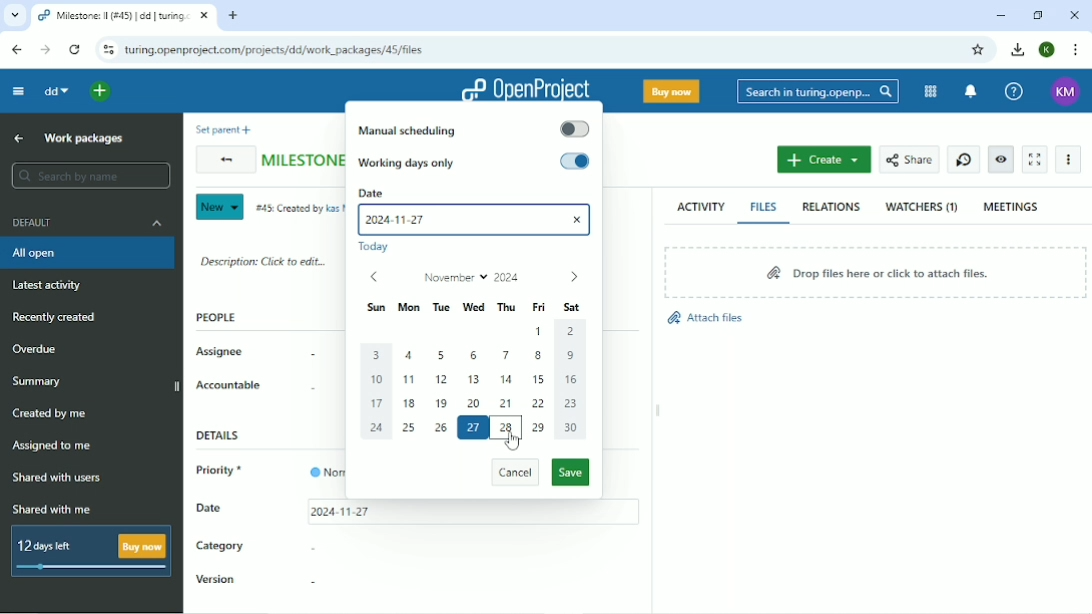  I want to click on Open quick add menu, so click(102, 92).